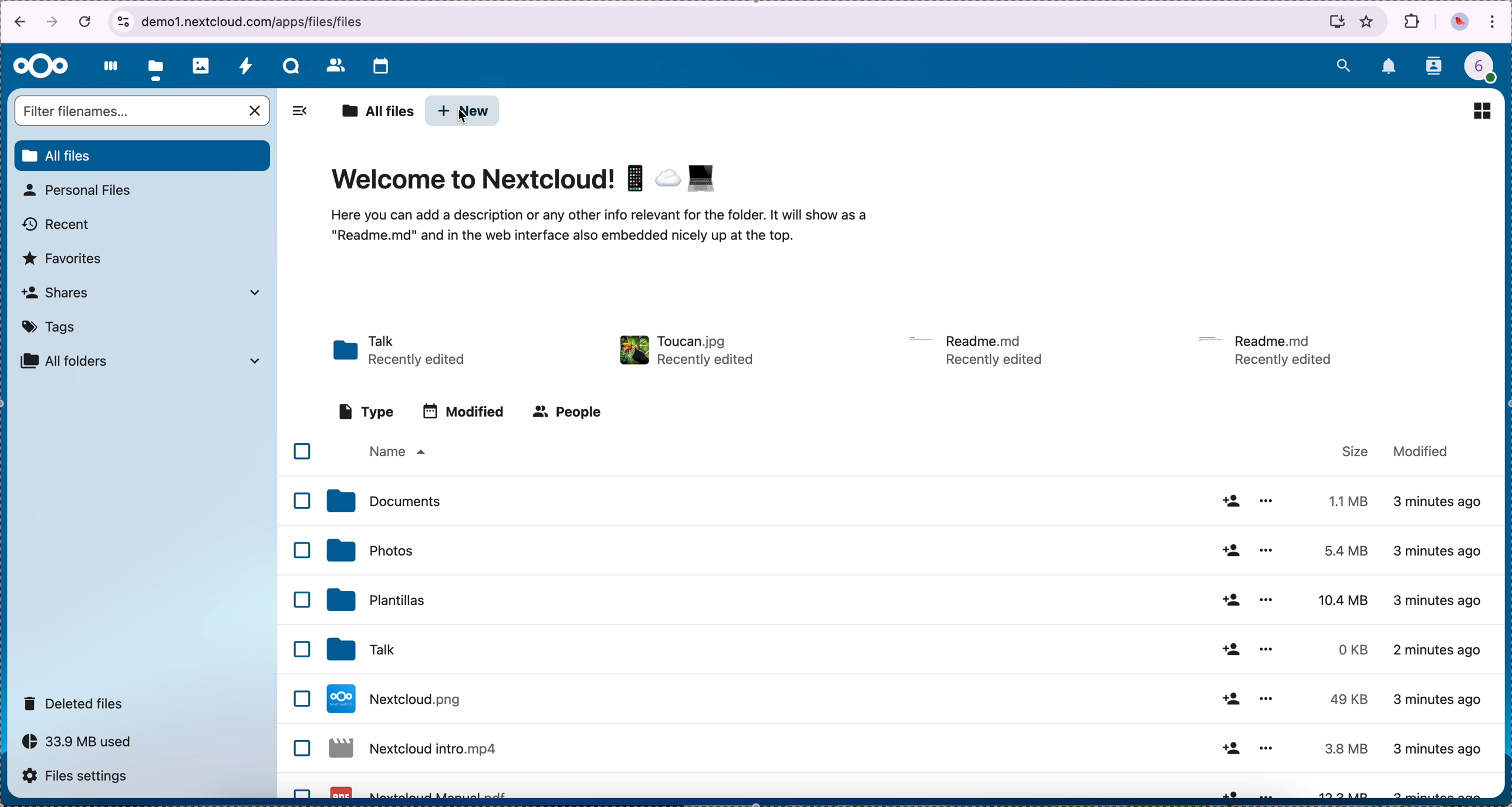 Image resolution: width=1512 pixels, height=807 pixels. I want to click on shares, so click(140, 292).